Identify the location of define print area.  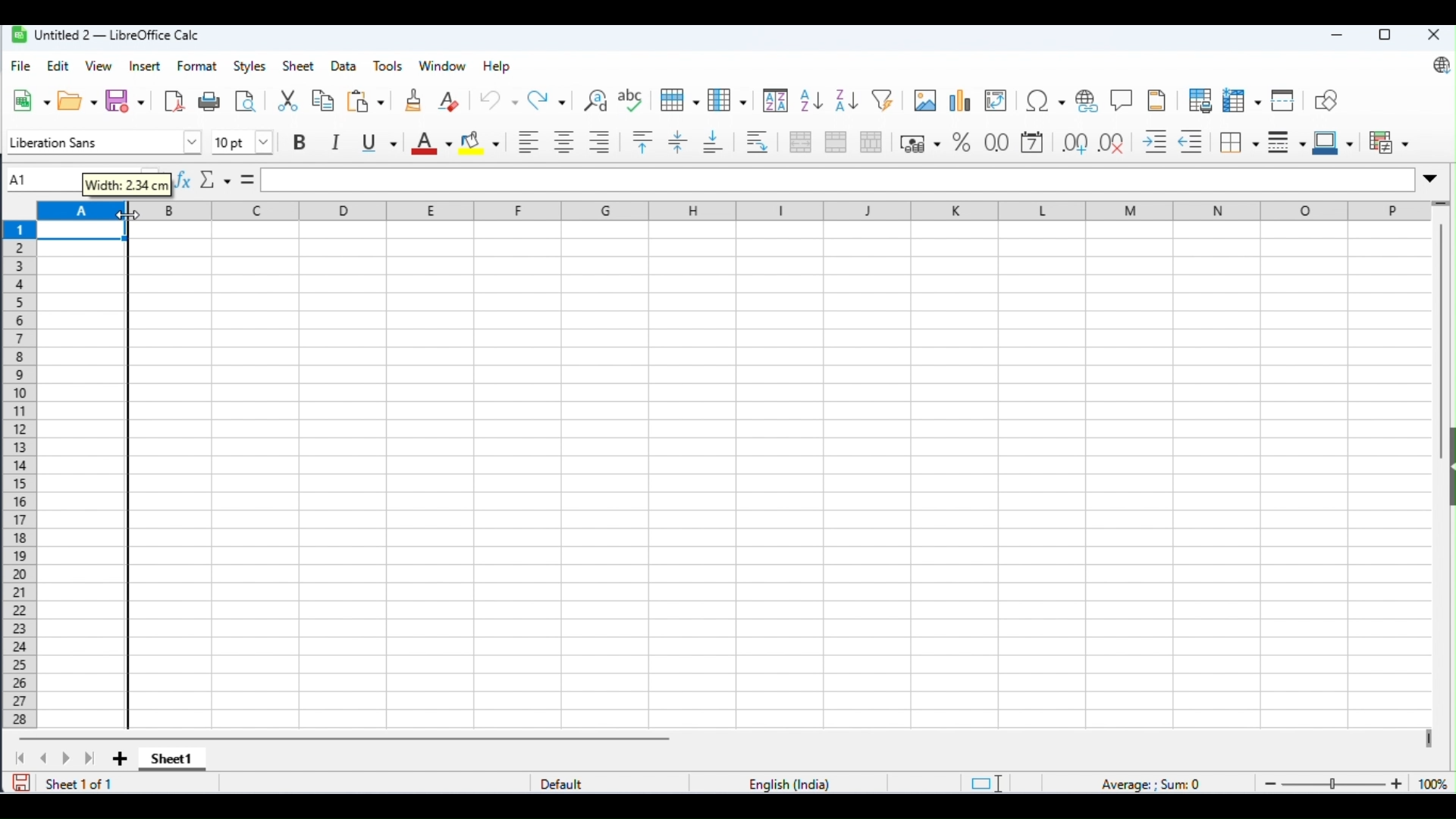
(1200, 99).